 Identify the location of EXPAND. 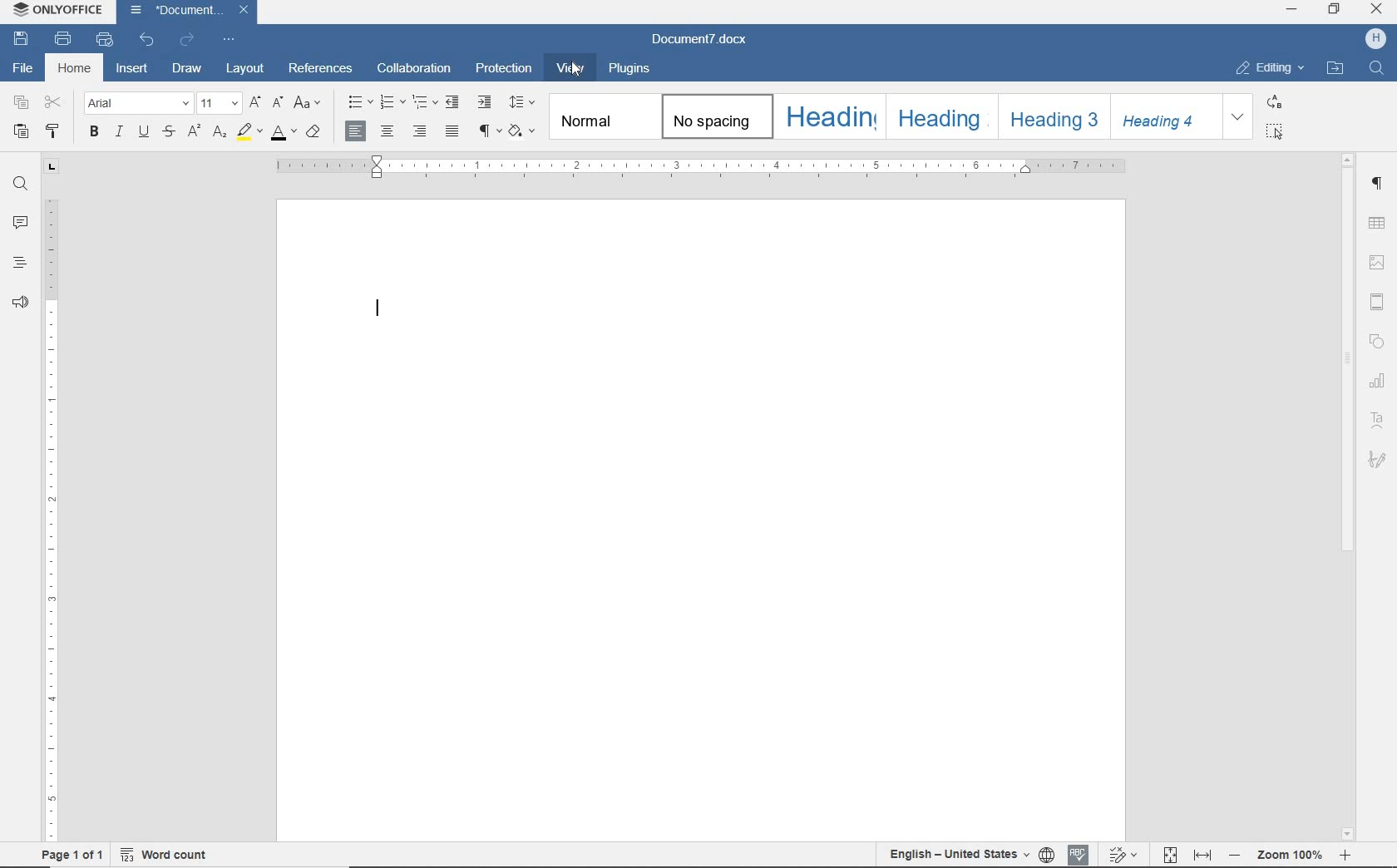
(1238, 116).